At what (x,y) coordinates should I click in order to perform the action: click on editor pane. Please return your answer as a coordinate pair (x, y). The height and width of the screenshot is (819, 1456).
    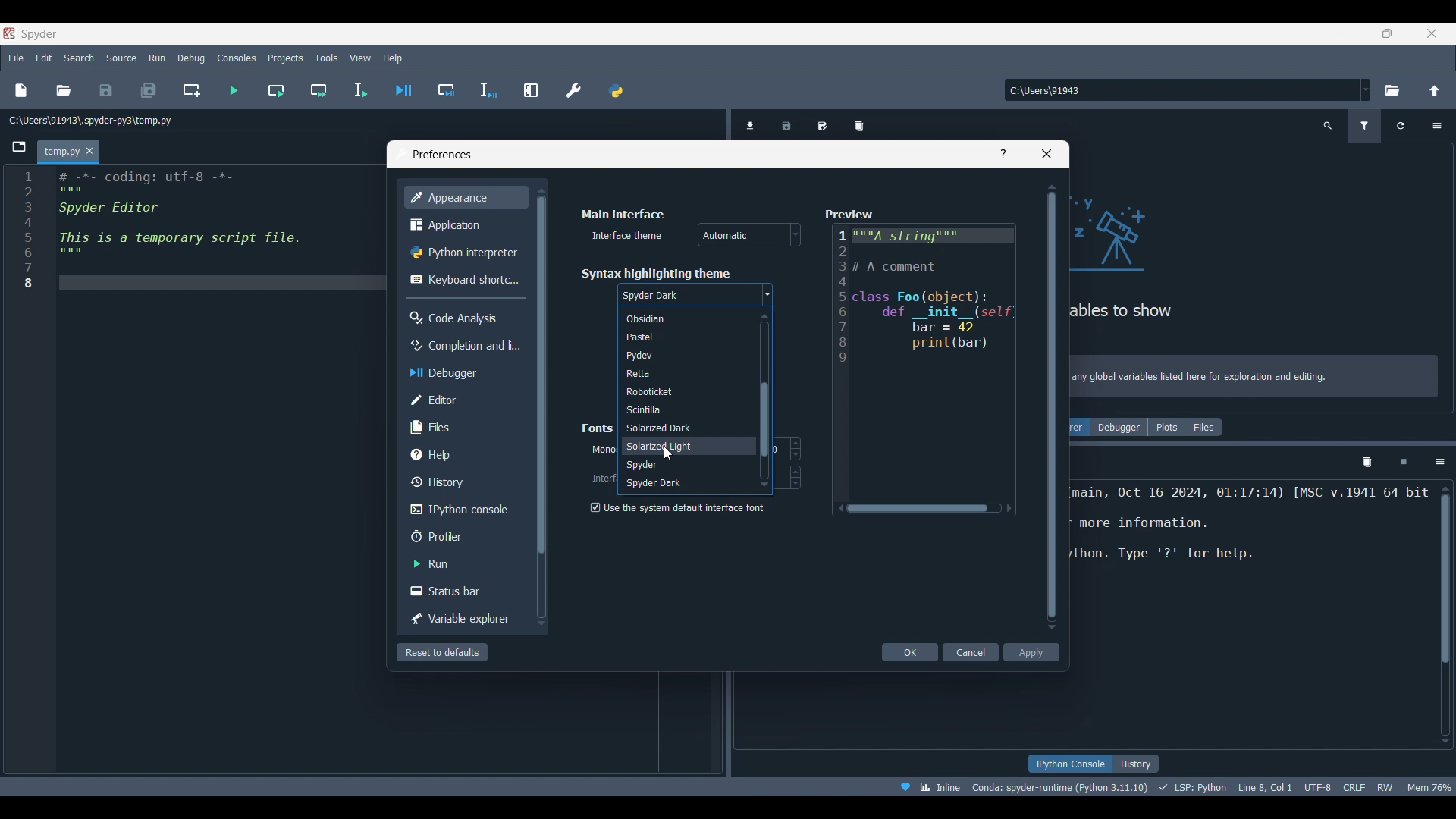
    Looking at the image, I should click on (215, 230).